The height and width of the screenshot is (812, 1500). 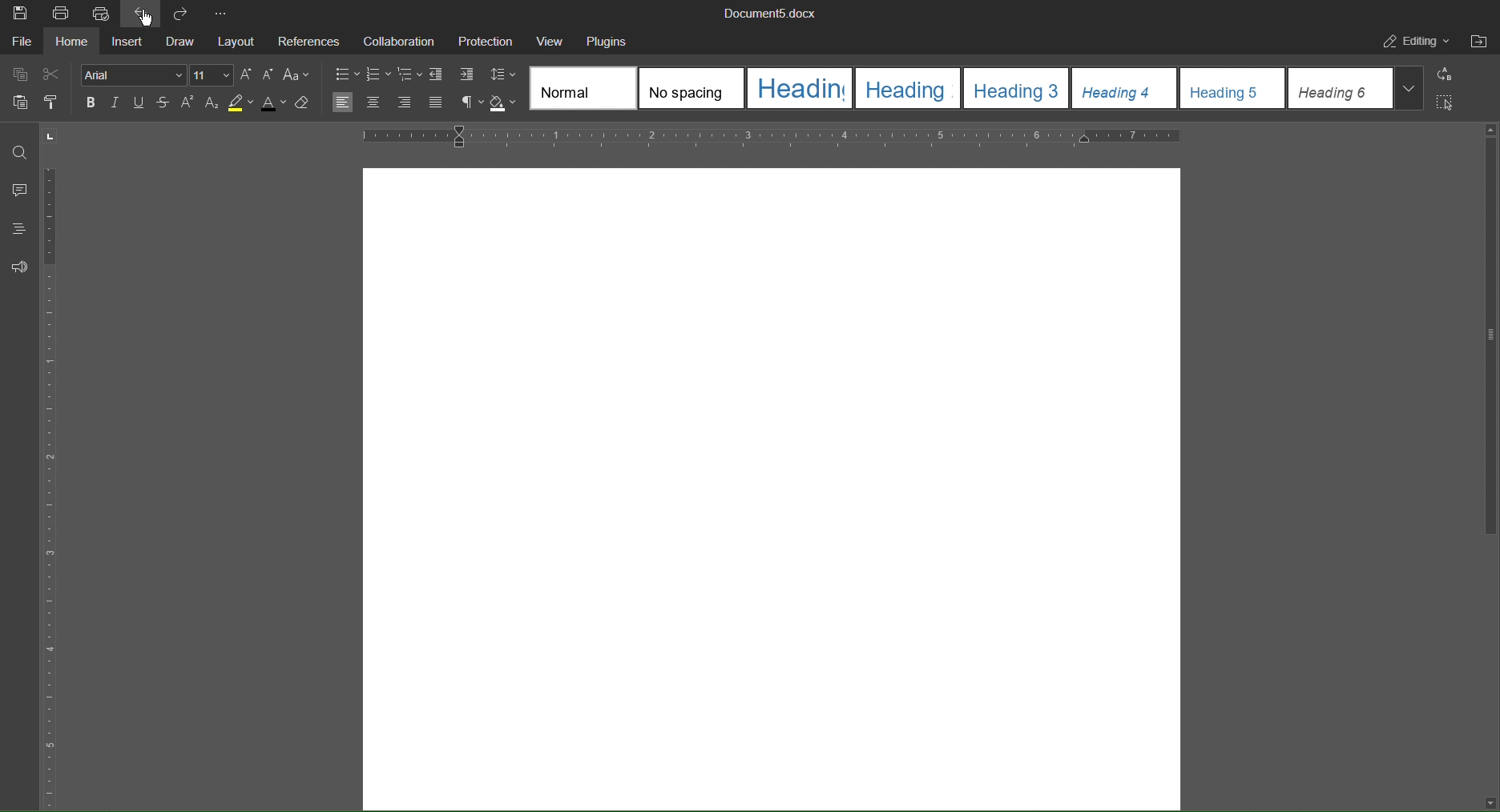 I want to click on Plugins, so click(x=608, y=41).